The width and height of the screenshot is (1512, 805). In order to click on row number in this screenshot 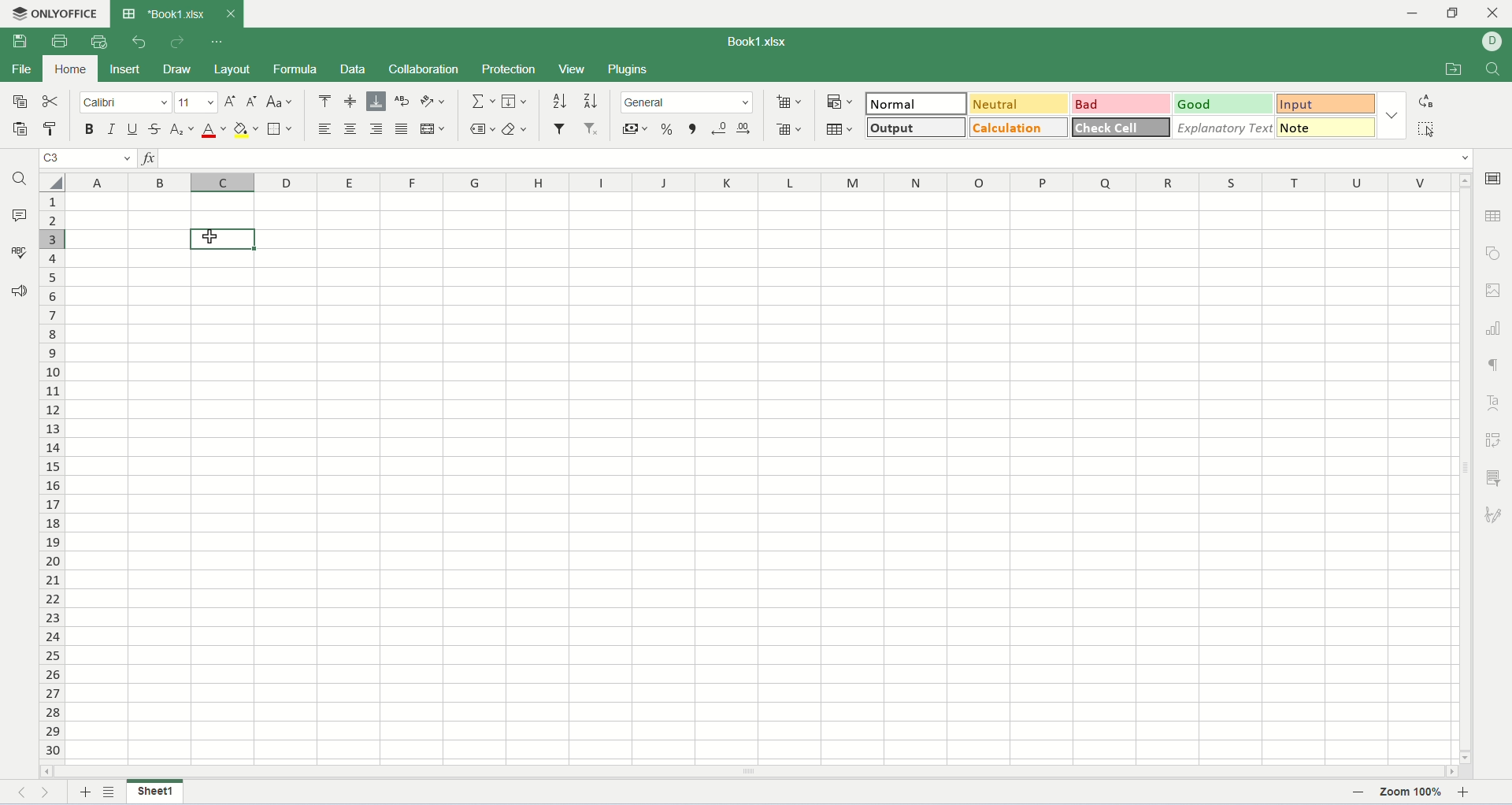, I will do `click(51, 475)`.